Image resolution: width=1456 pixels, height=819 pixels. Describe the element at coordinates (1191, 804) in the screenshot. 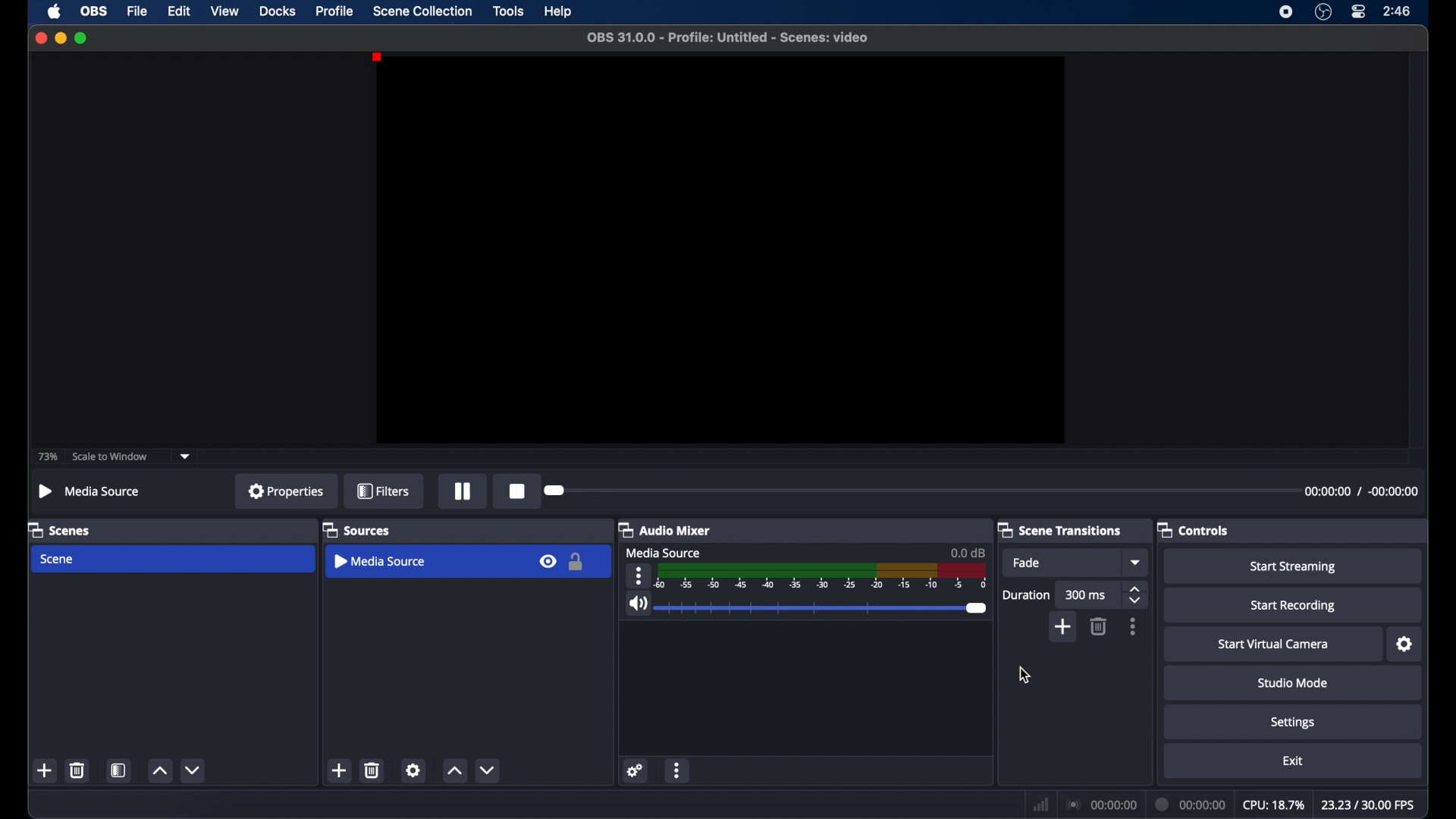

I see `duration` at that location.